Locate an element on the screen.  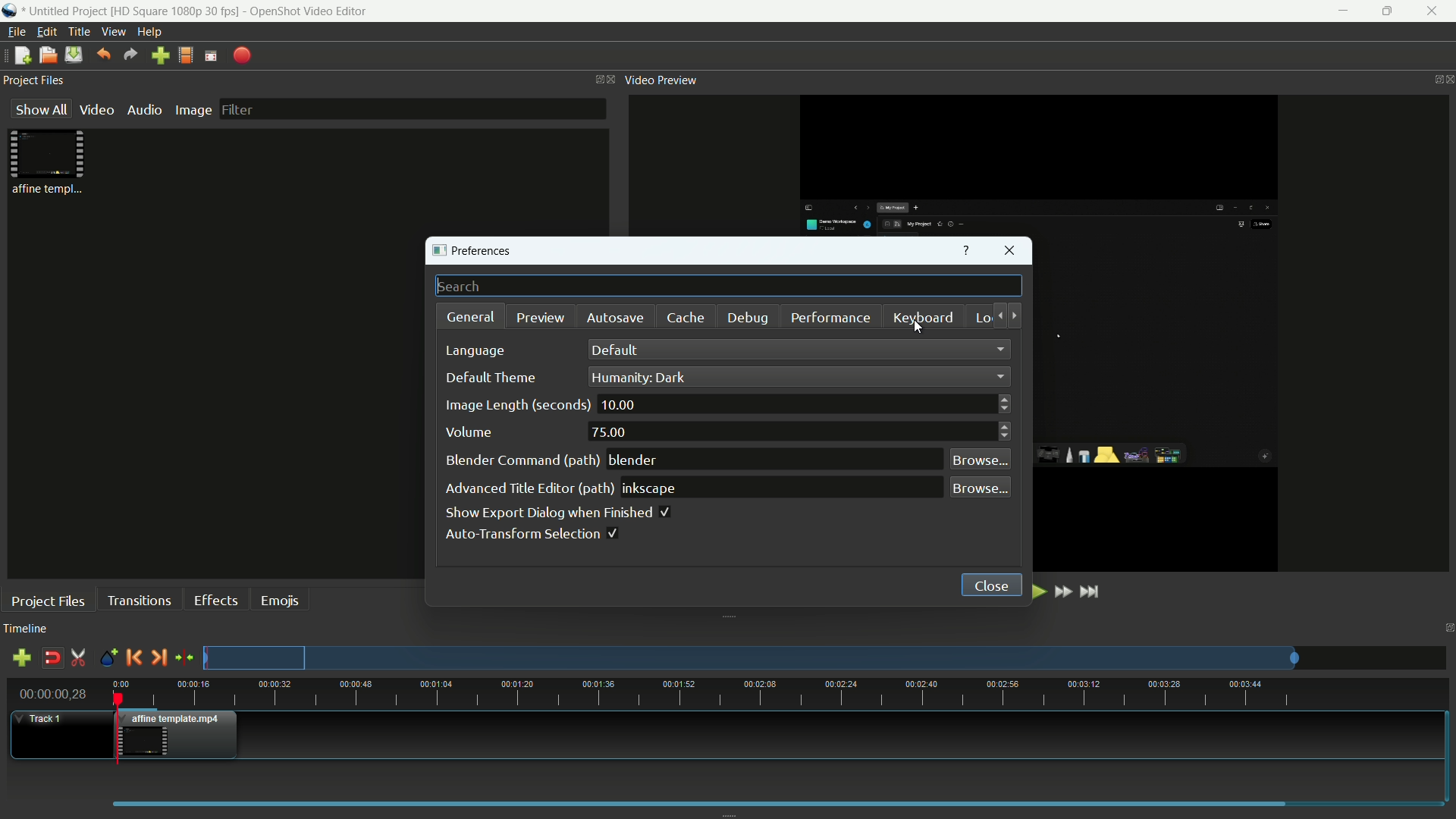
next marker is located at coordinates (158, 657).